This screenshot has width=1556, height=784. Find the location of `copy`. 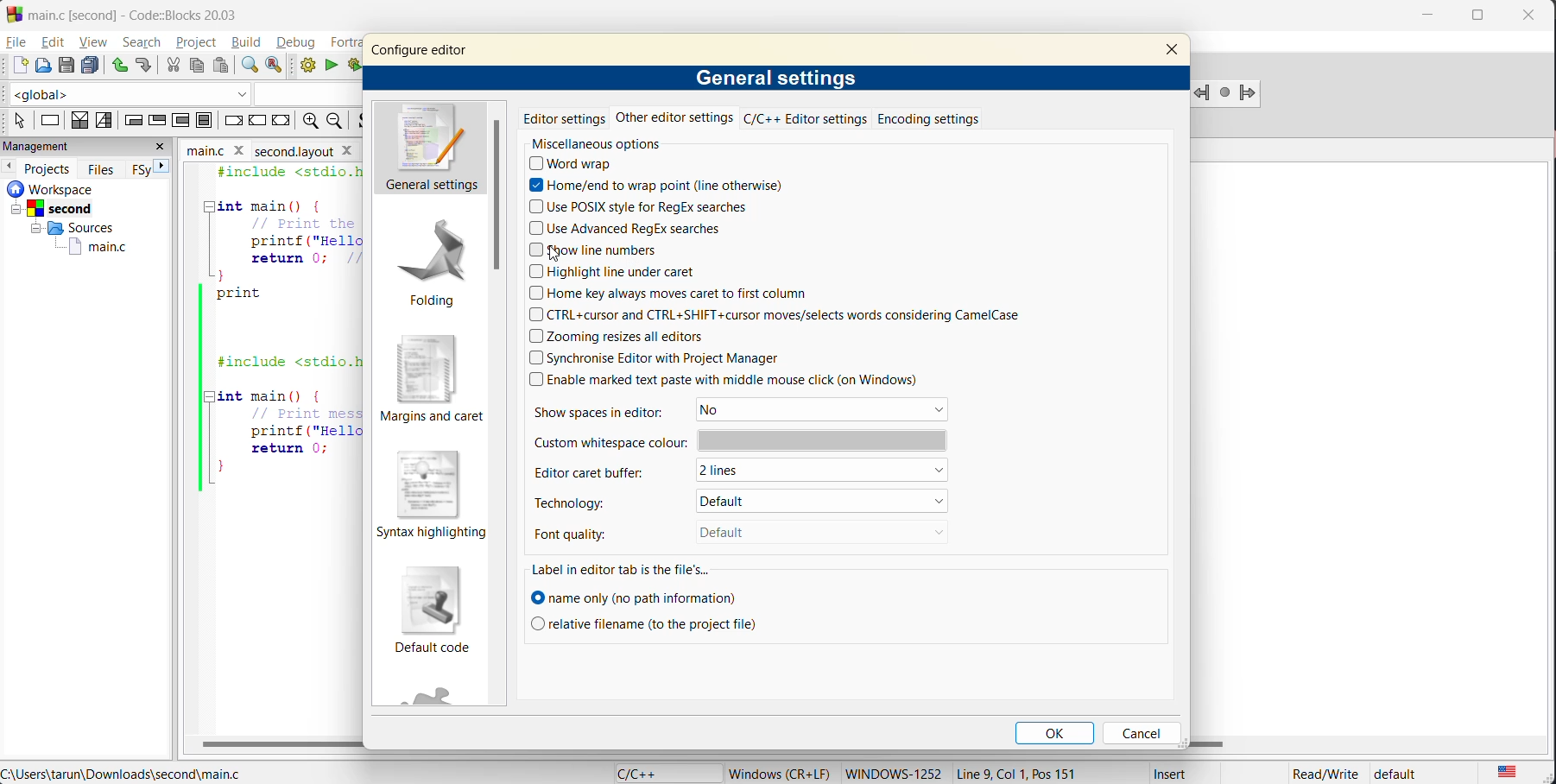

copy is located at coordinates (198, 66).